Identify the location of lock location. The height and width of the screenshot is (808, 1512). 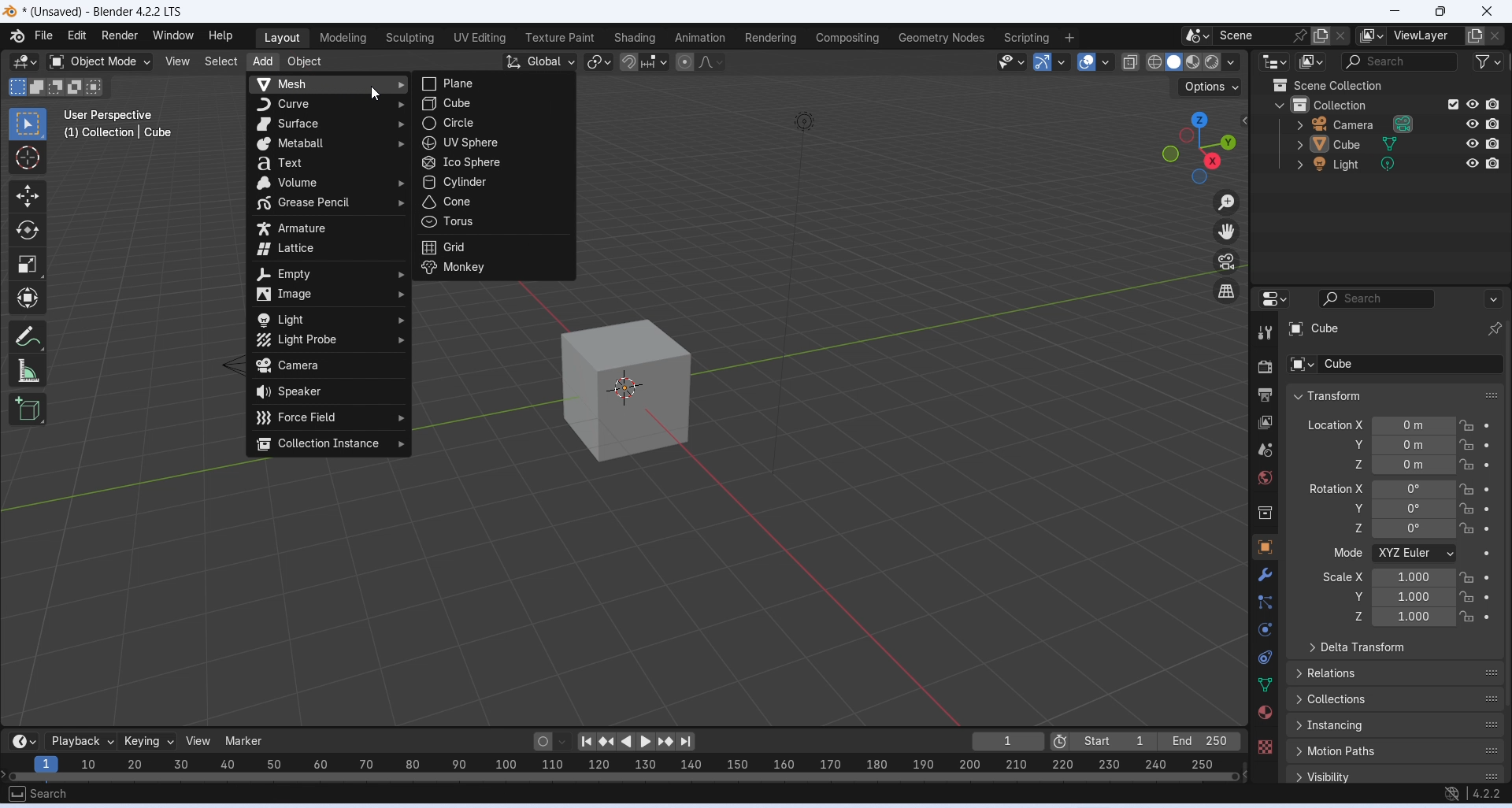
(1466, 489).